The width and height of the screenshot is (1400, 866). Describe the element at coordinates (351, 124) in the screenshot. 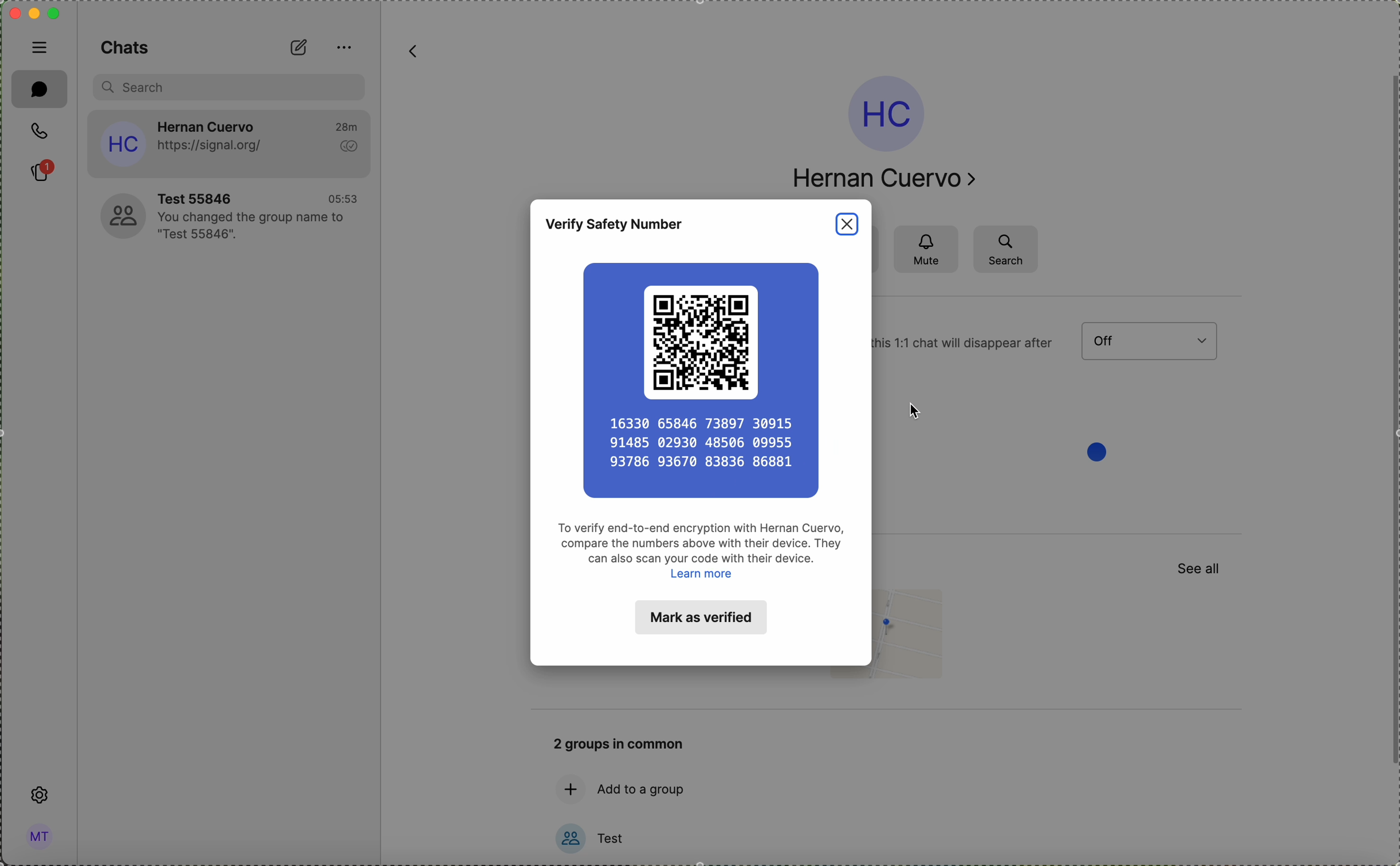

I see `28m` at that location.